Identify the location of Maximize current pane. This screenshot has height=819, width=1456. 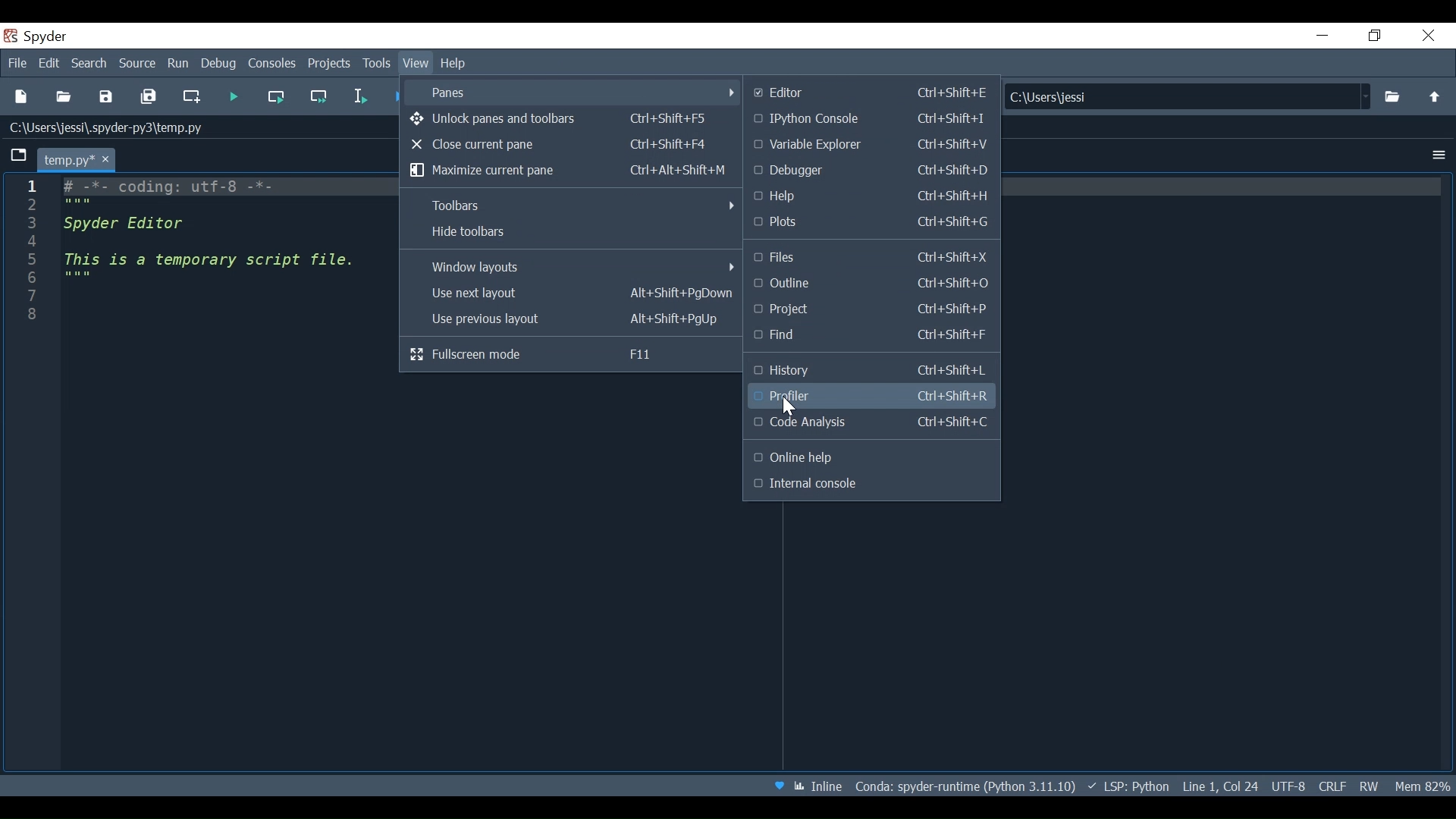
(570, 170).